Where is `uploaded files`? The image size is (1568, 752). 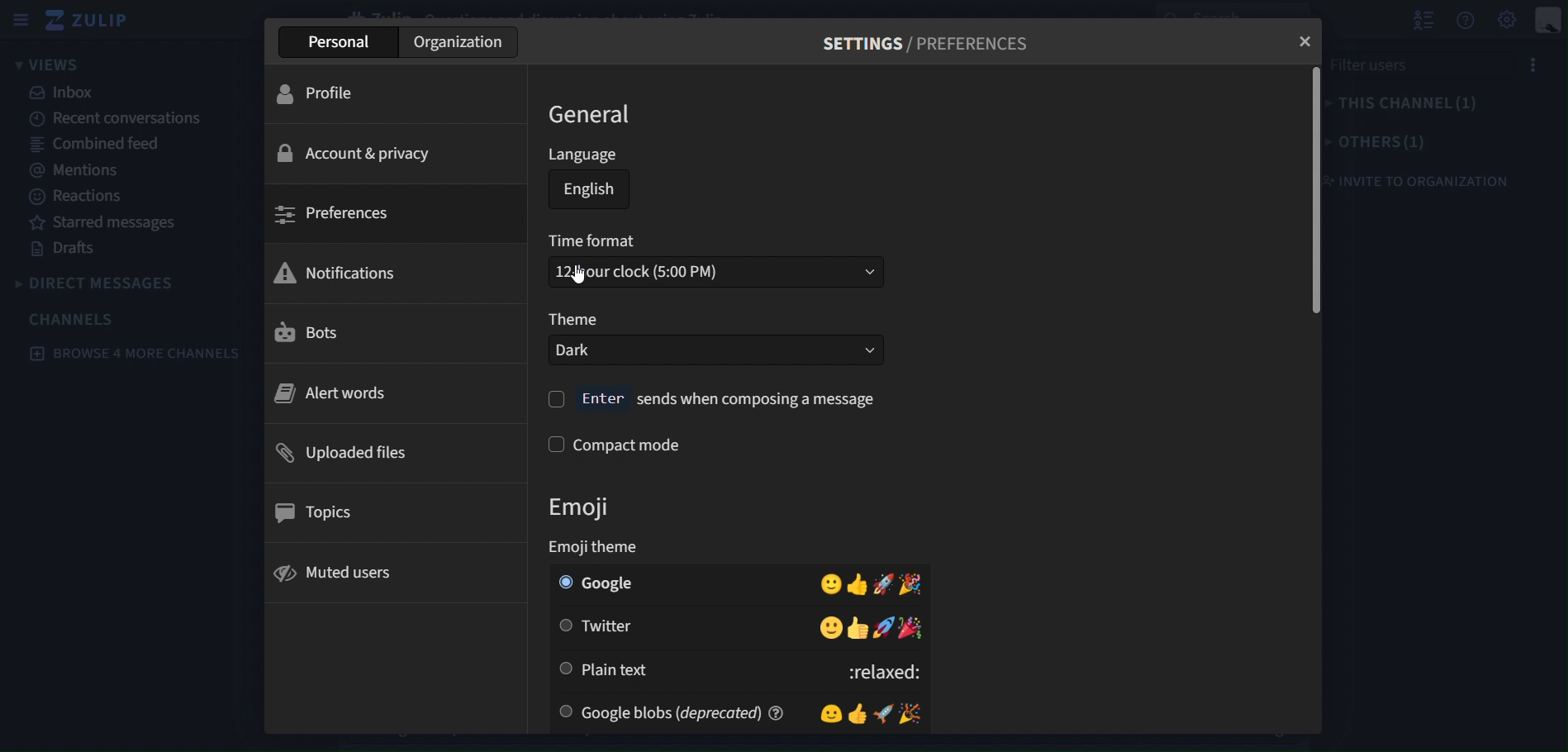
uploaded files is located at coordinates (390, 450).